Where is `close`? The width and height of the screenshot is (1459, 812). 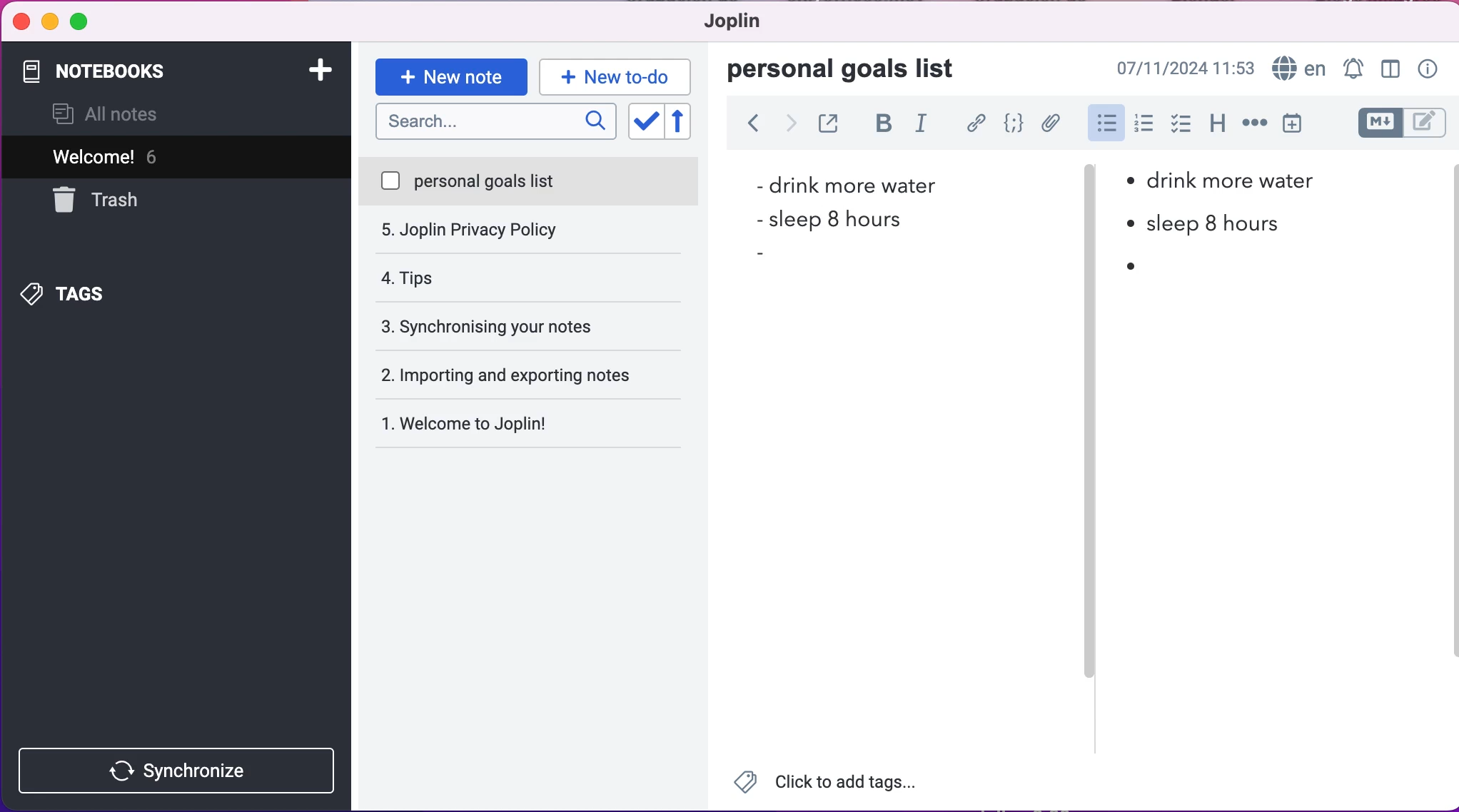
close is located at coordinates (21, 21).